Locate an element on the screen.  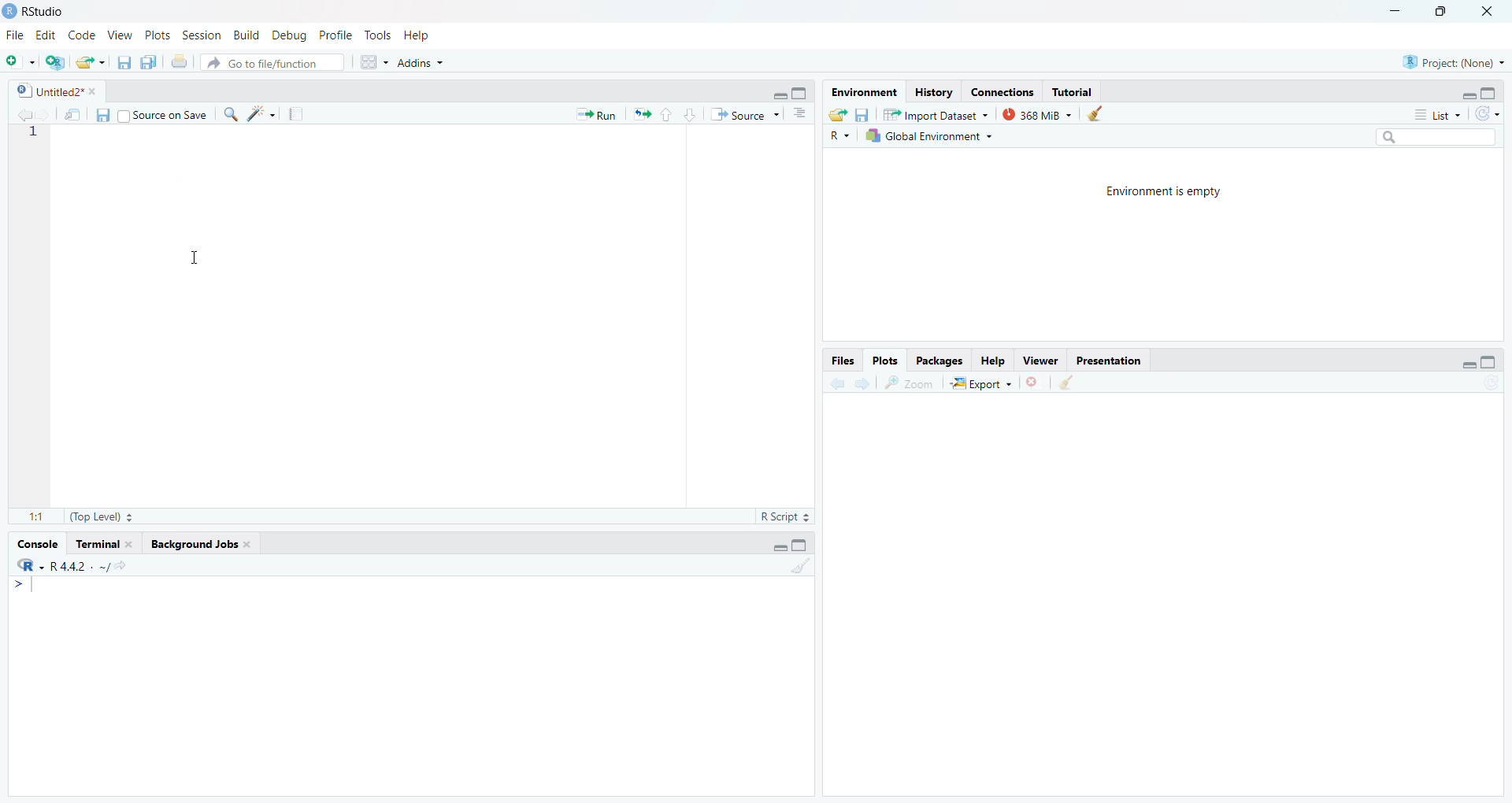
maximise is located at coordinates (799, 94).